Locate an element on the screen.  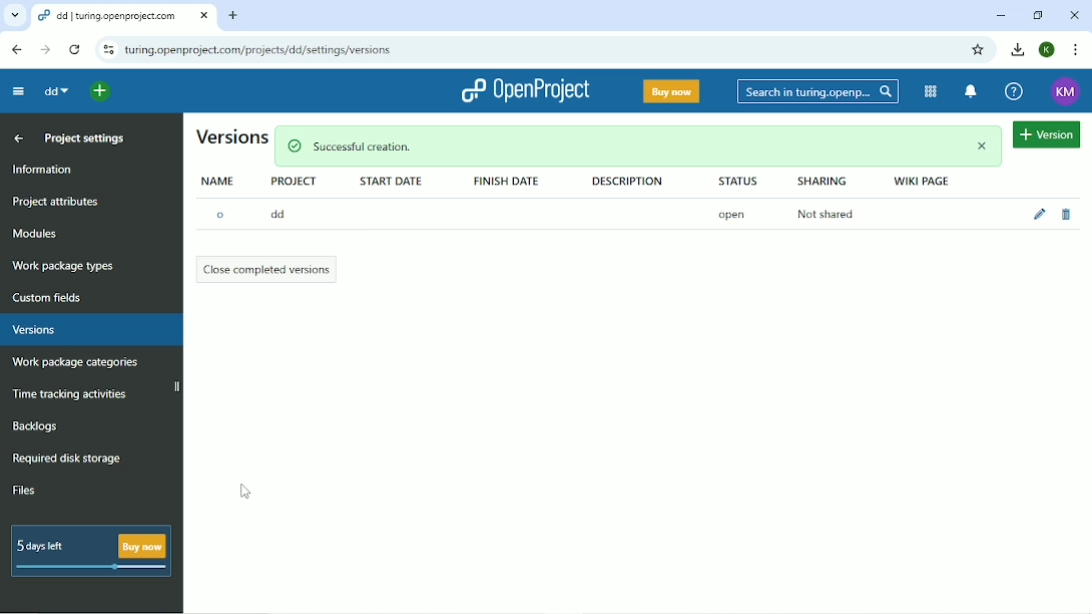
Custom fields is located at coordinates (53, 299).